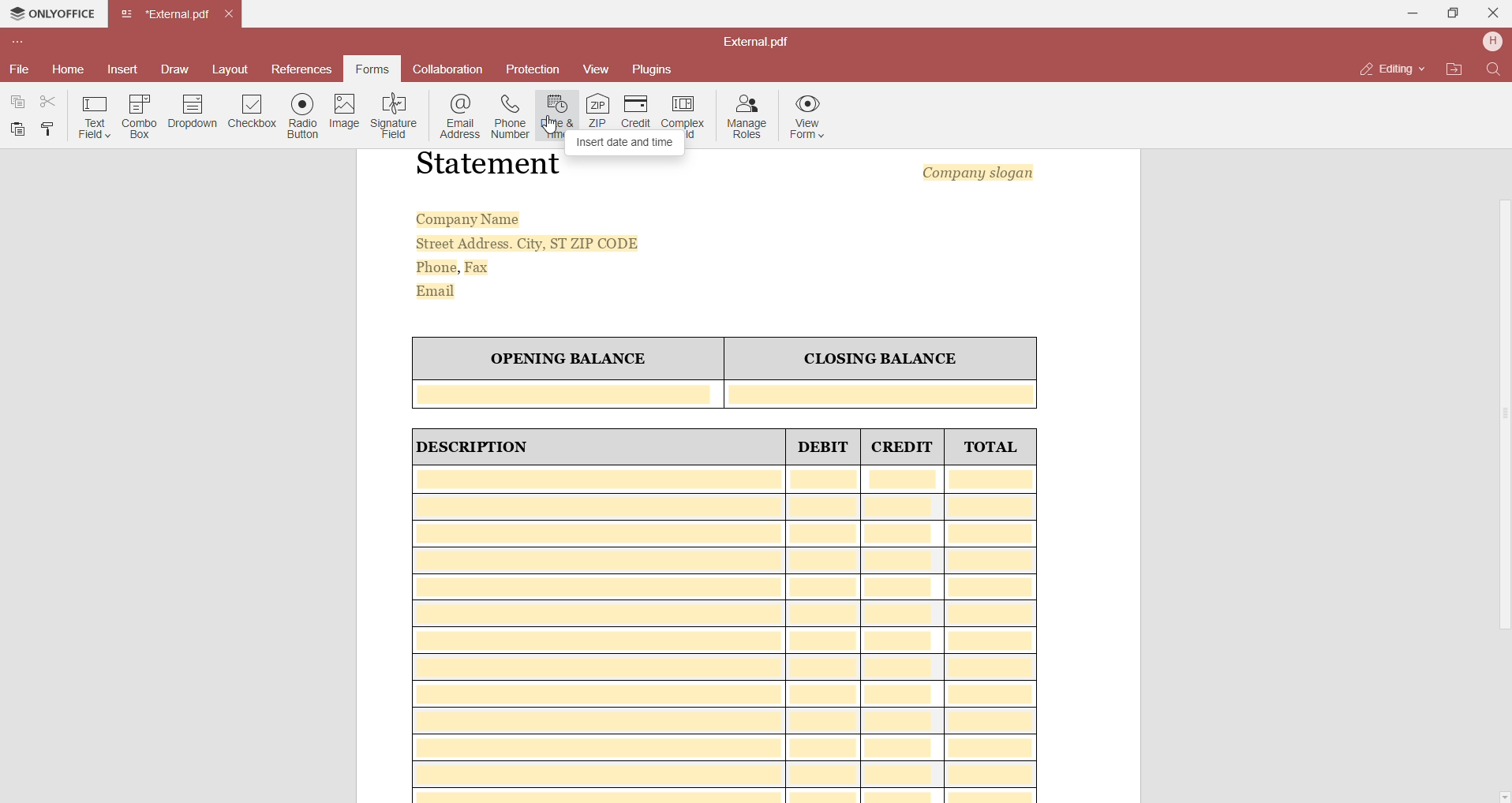 The height and width of the screenshot is (803, 1512). What do you see at coordinates (231, 12) in the screenshot?
I see `Close Tab` at bounding box center [231, 12].